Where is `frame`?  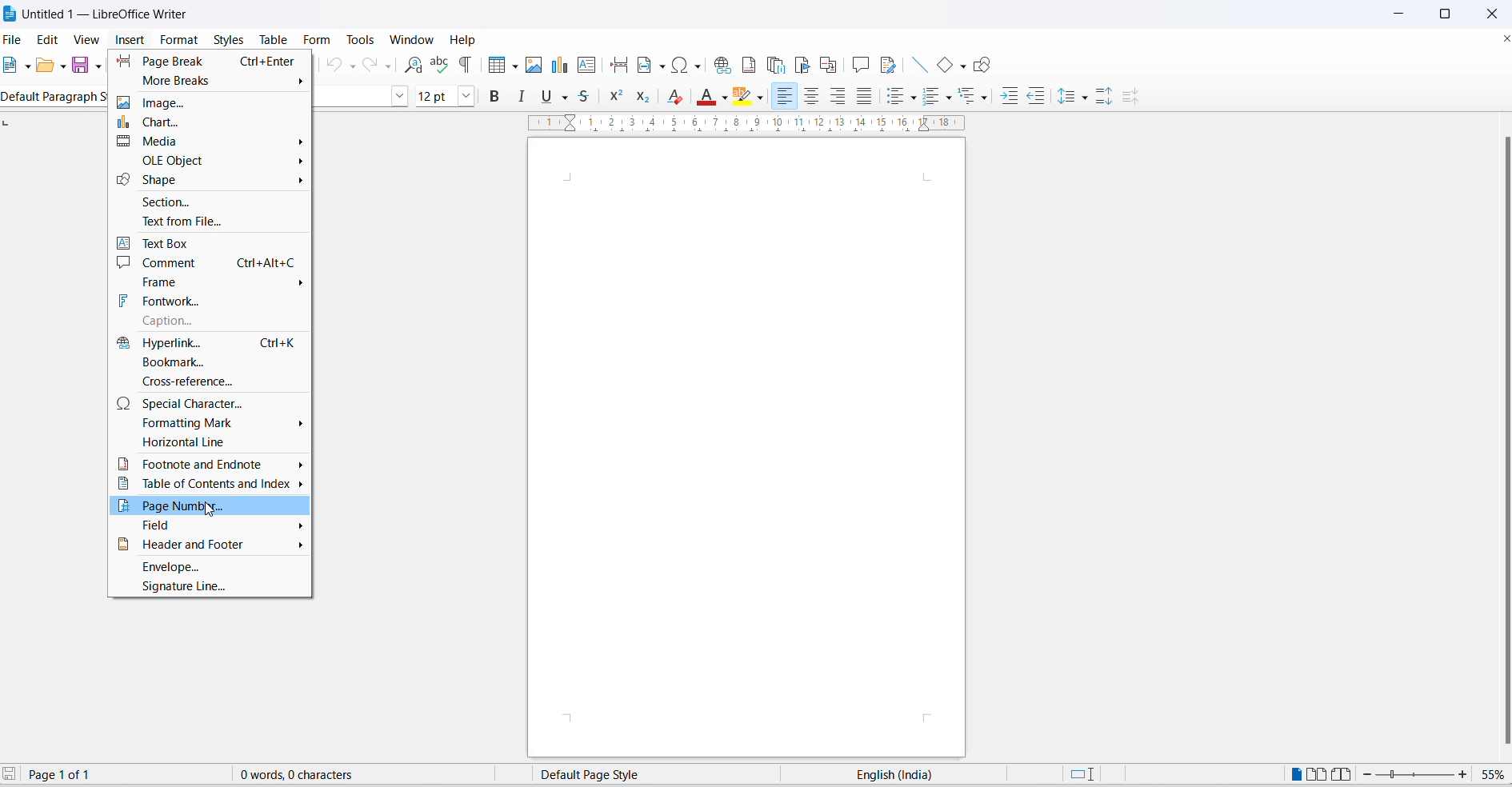 frame is located at coordinates (209, 284).